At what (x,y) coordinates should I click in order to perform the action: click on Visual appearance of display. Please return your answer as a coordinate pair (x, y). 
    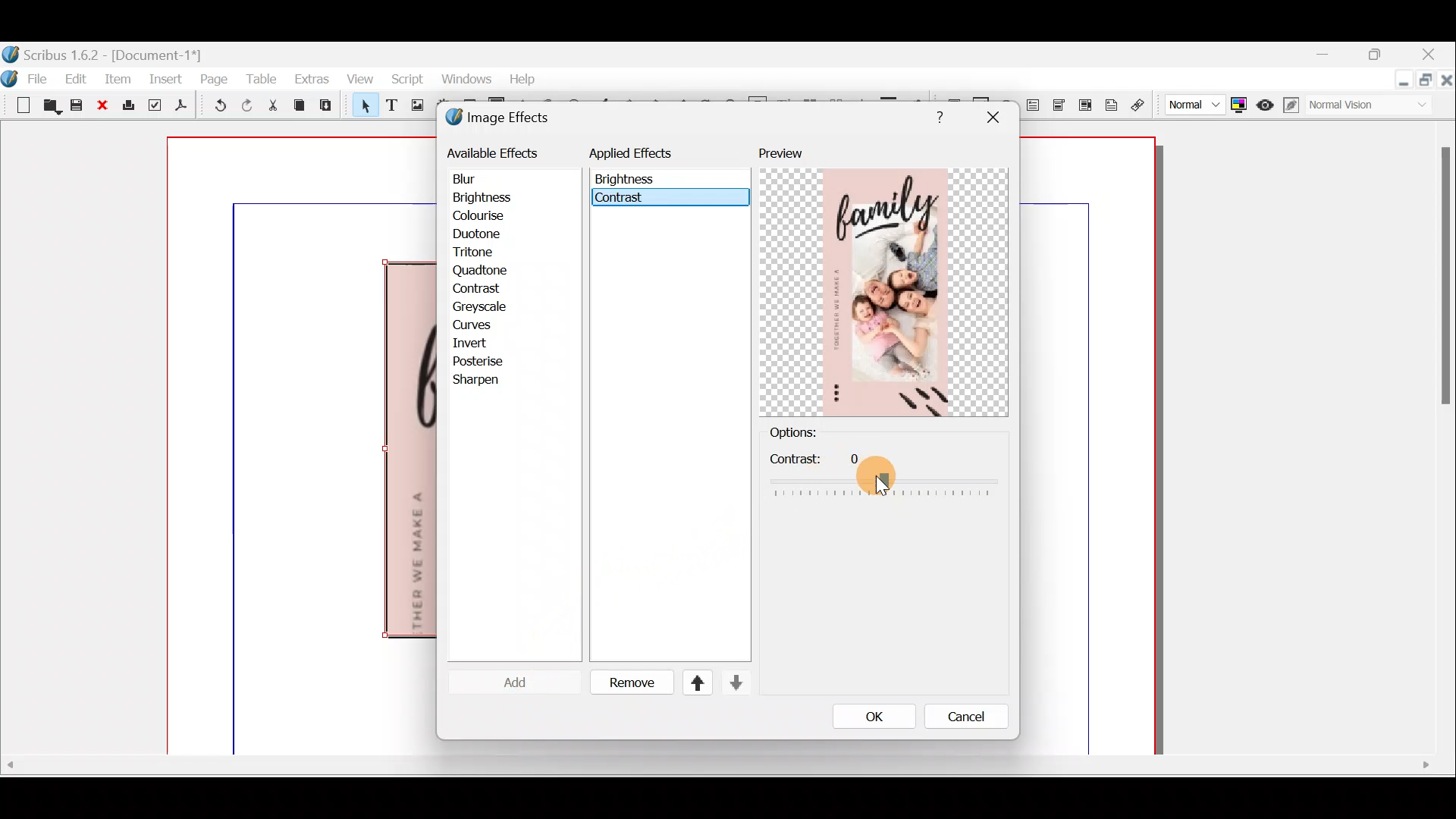
    Looking at the image, I should click on (1376, 106).